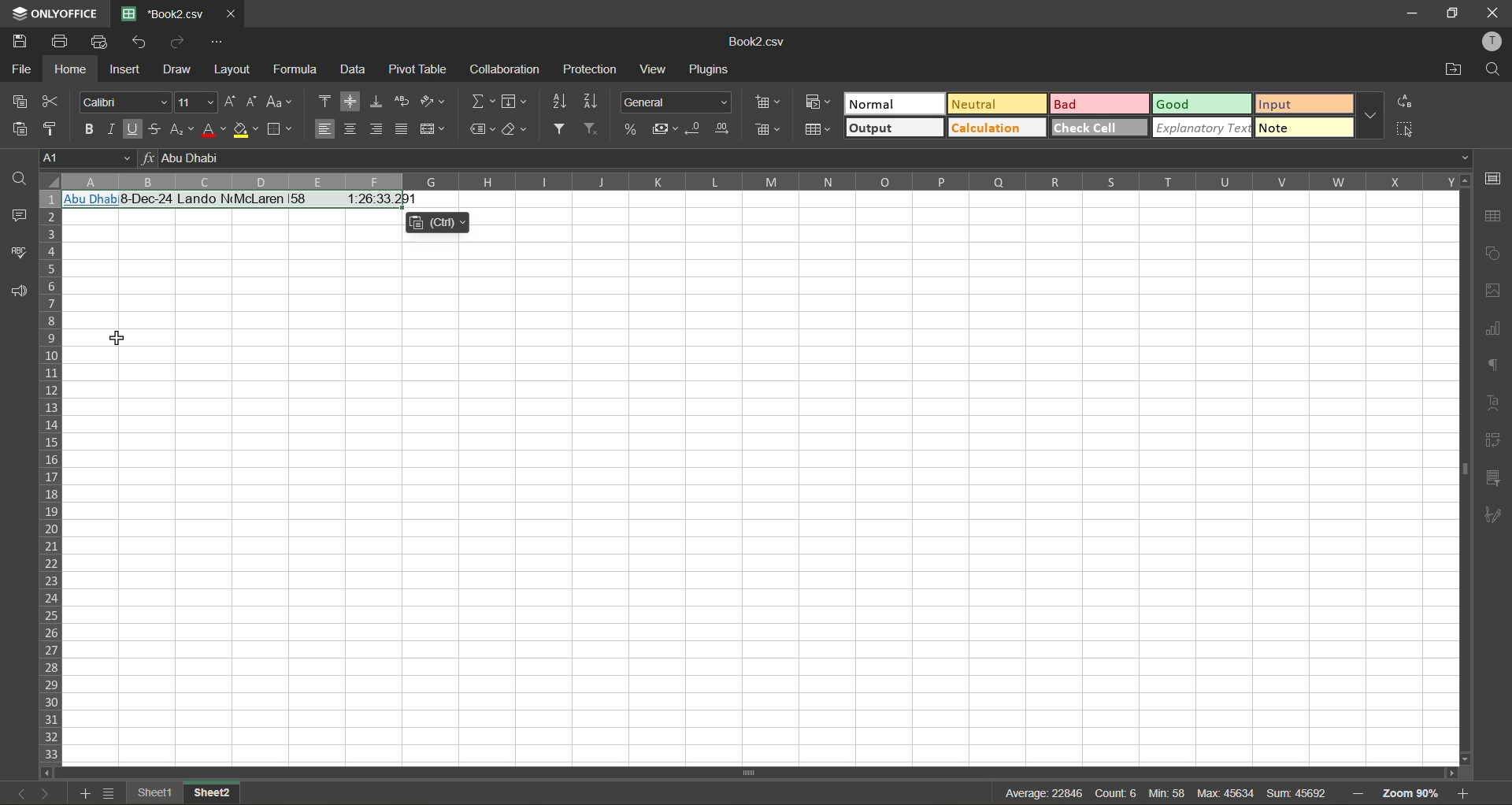  What do you see at coordinates (13, 176) in the screenshot?
I see `open` at bounding box center [13, 176].